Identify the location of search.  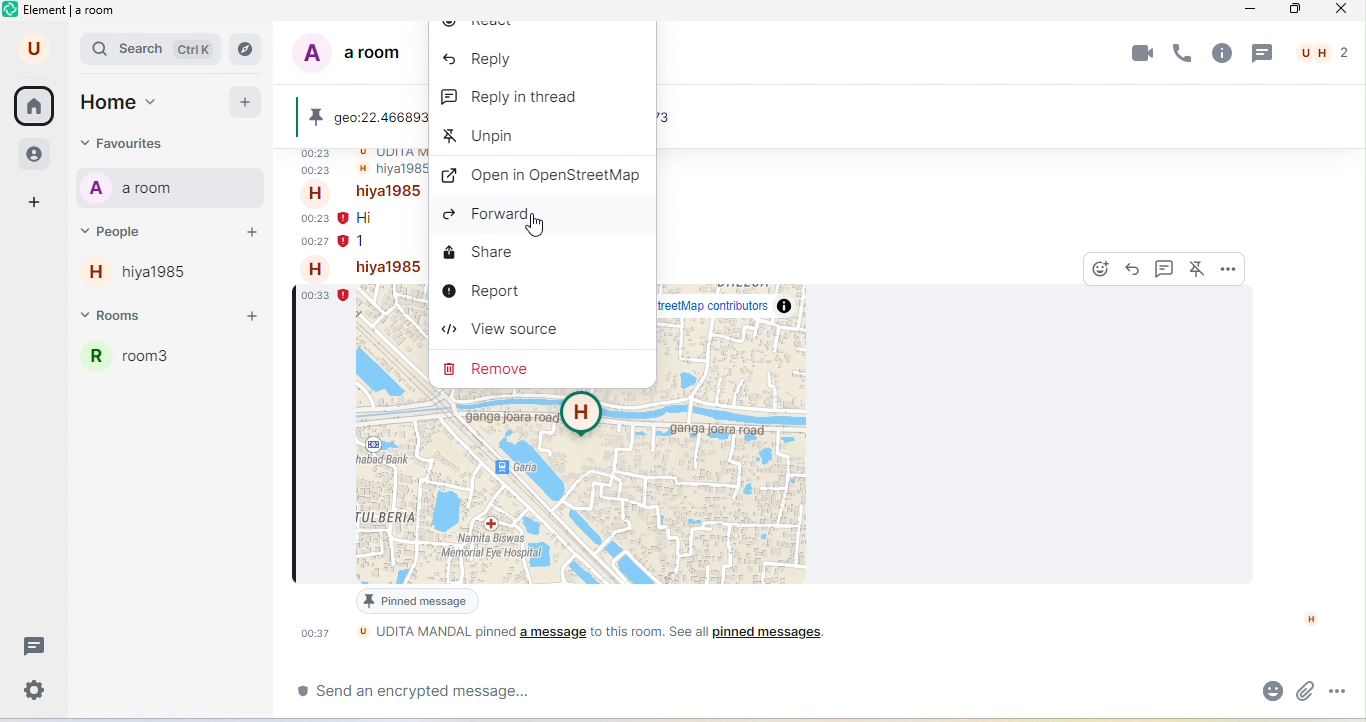
(152, 51).